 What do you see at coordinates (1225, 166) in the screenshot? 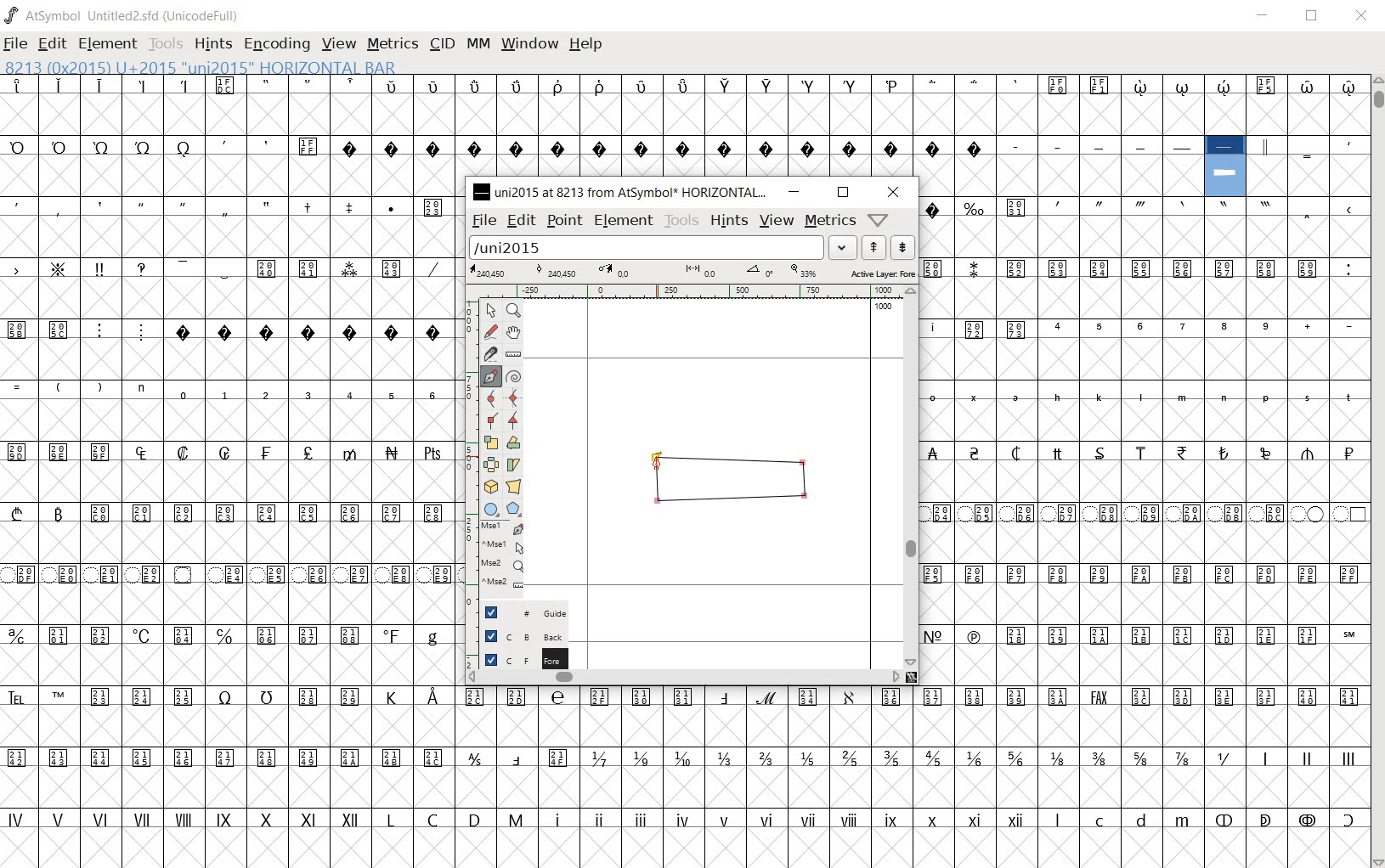
I see `8213 (0x2015) U+2015 "uni2015" HORIZONTAL BAR` at bounding box center [1225, 166].